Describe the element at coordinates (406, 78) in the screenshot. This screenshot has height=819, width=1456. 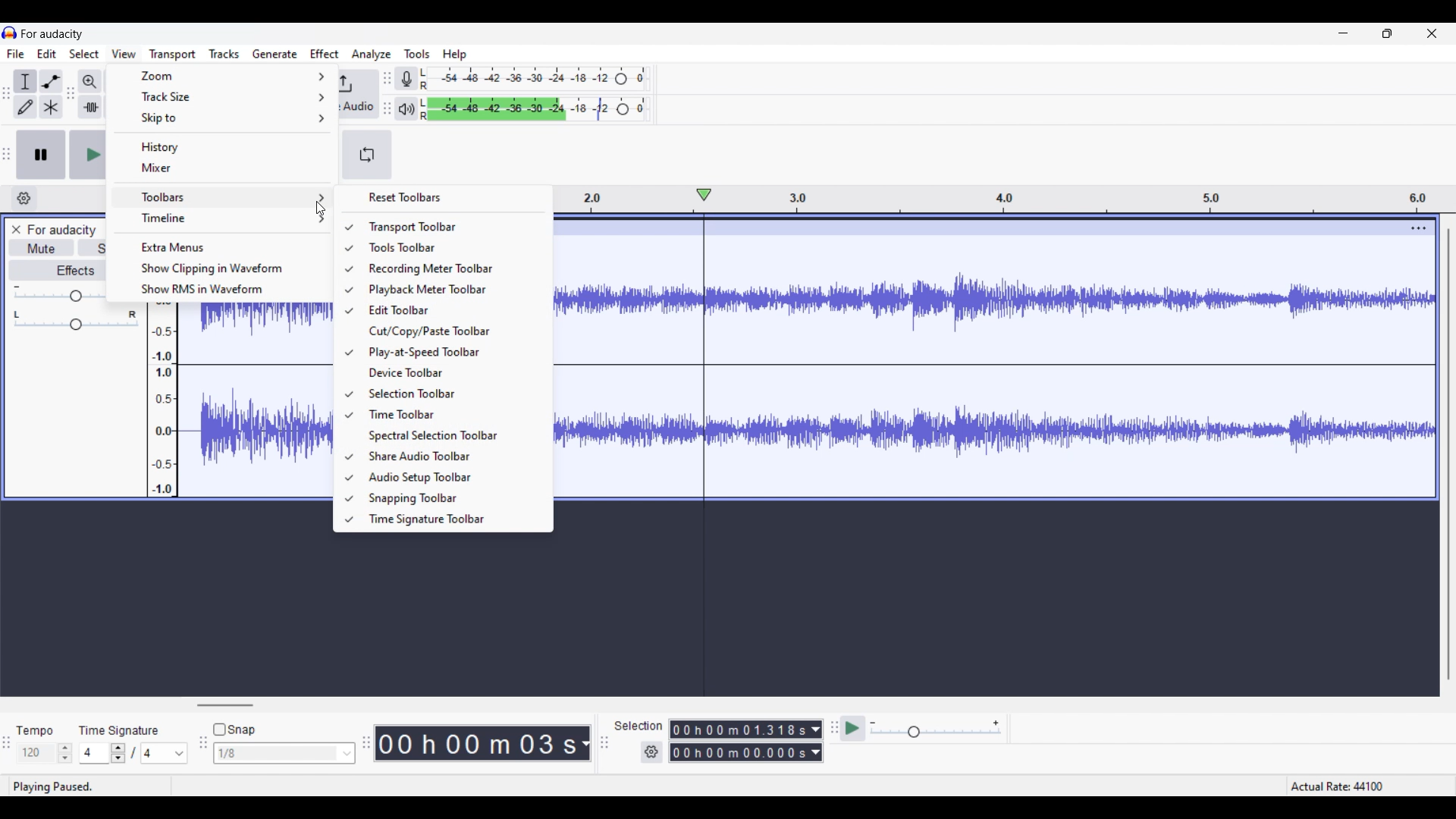
I see `Record meter` at that location.